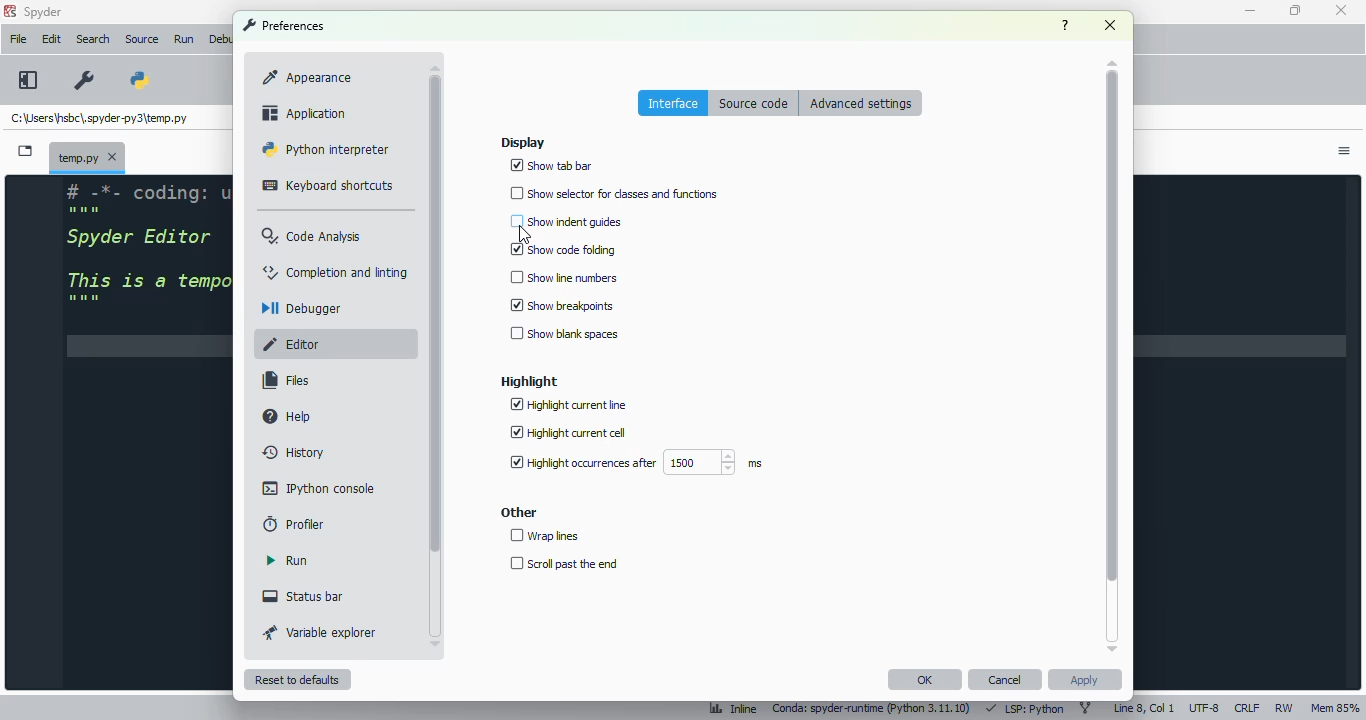 Image resolution: width=1366 pixels, height=720 pixels. I want to click on wrap lines, so click(546, 535).